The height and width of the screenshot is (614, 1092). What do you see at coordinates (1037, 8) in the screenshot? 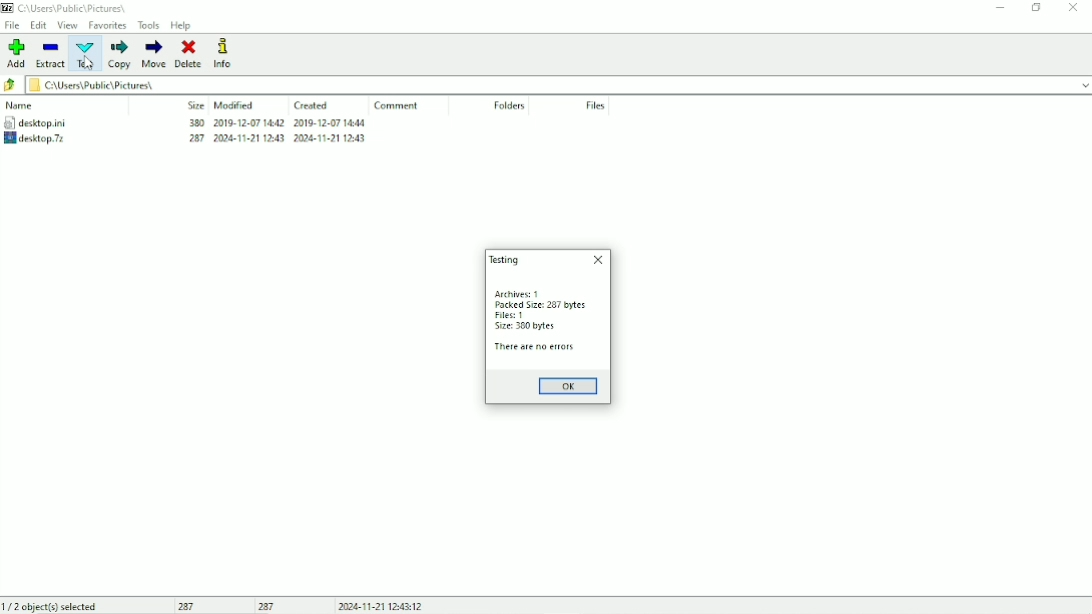
I see `Restore down` at bounding box center [1037, 8].